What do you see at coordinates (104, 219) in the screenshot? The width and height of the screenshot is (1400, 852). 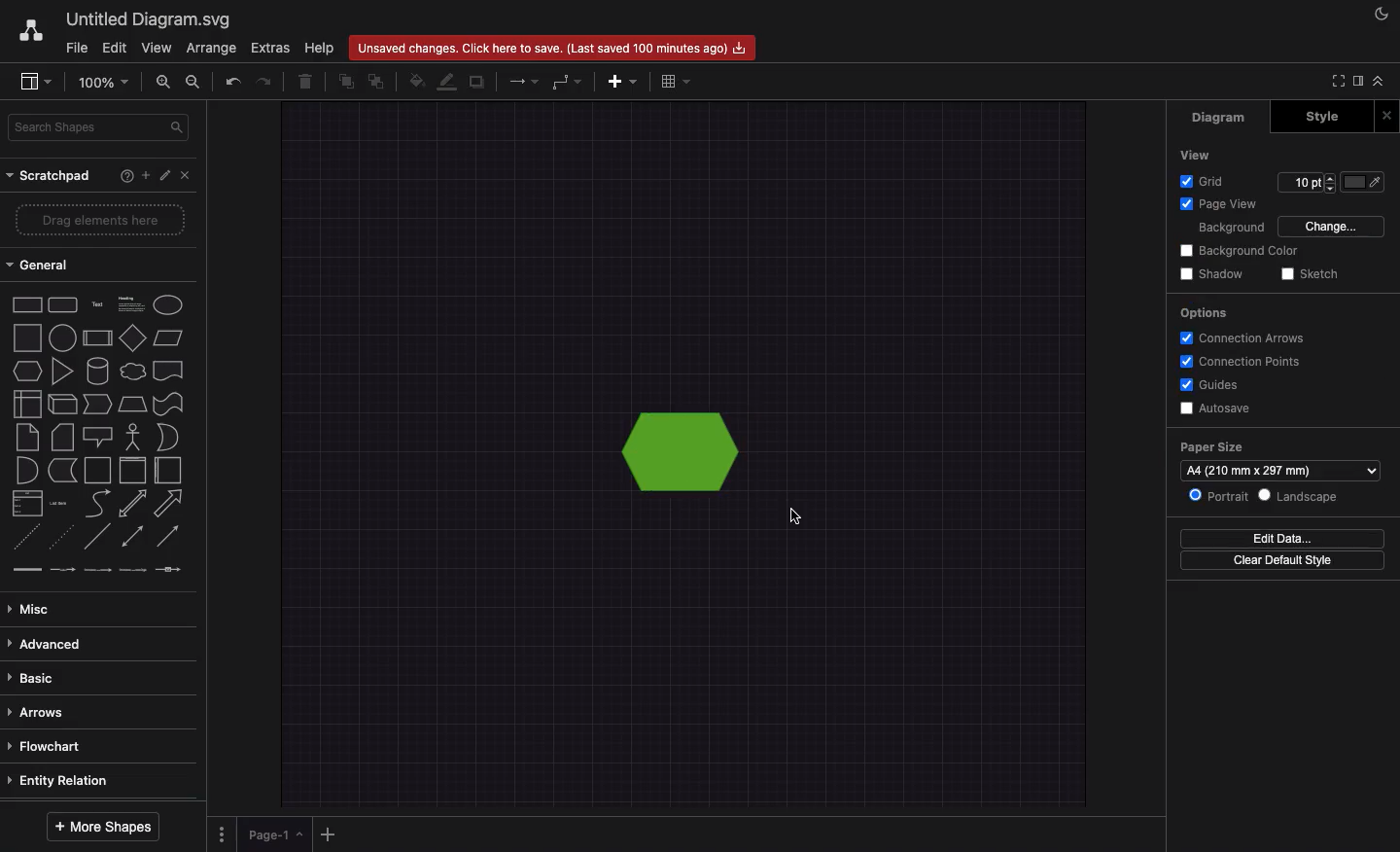 I see `Drag elements here` at bounding box center [104, 219].